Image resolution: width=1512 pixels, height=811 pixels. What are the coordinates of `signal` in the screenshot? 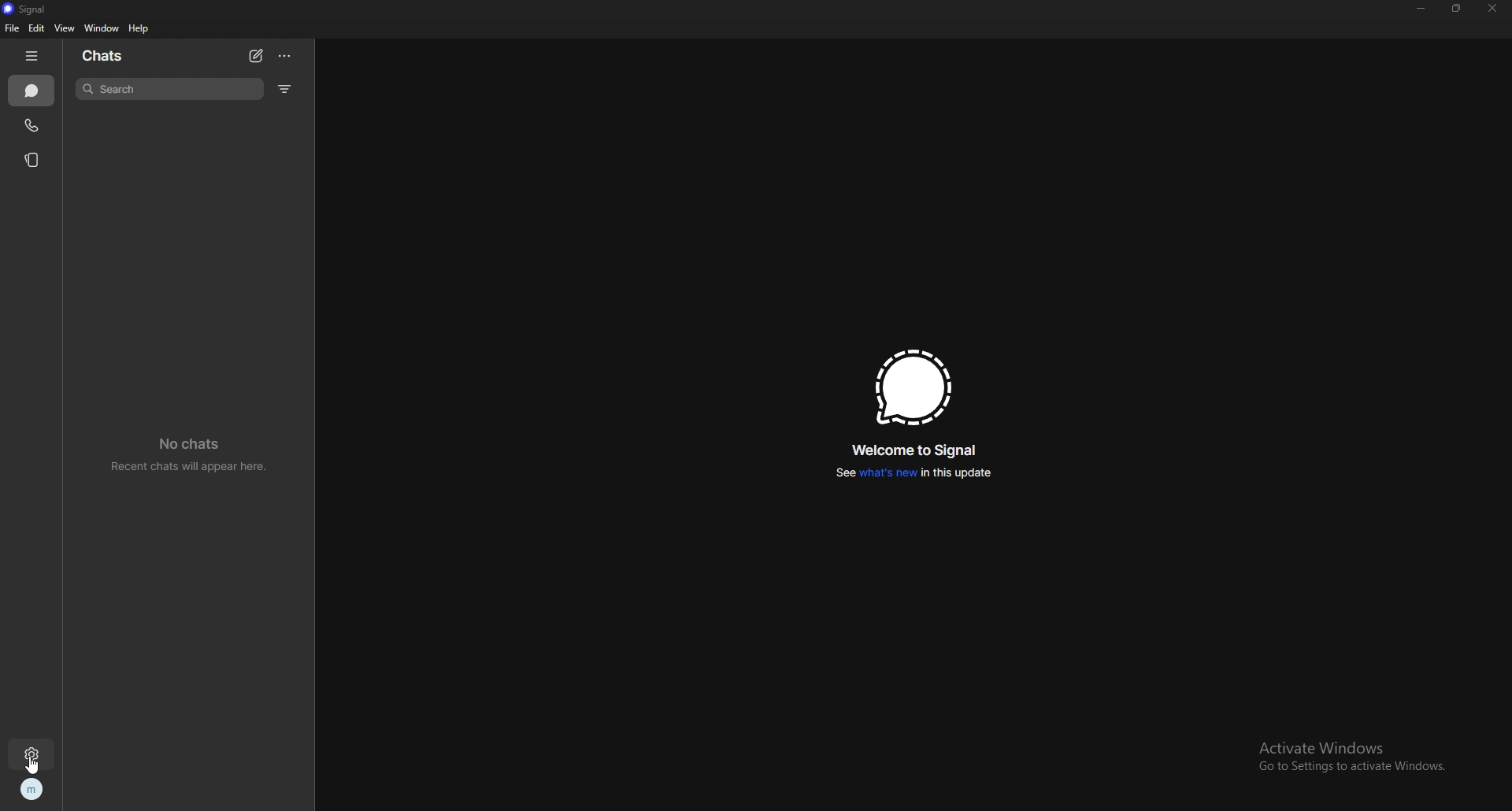 It's located at (35, 9).